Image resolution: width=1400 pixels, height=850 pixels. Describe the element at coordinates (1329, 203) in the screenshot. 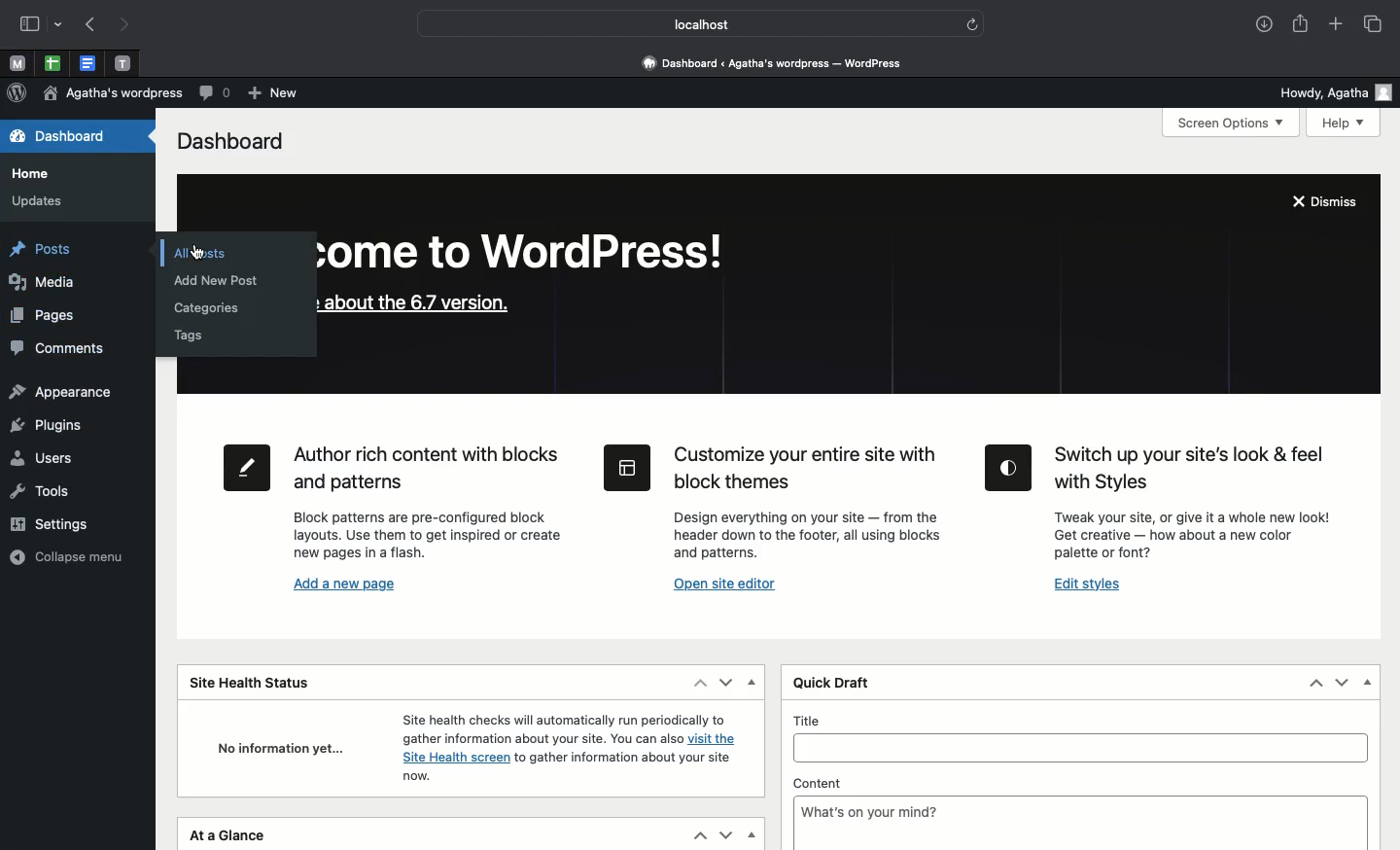

I see `Dismiss` at that location.